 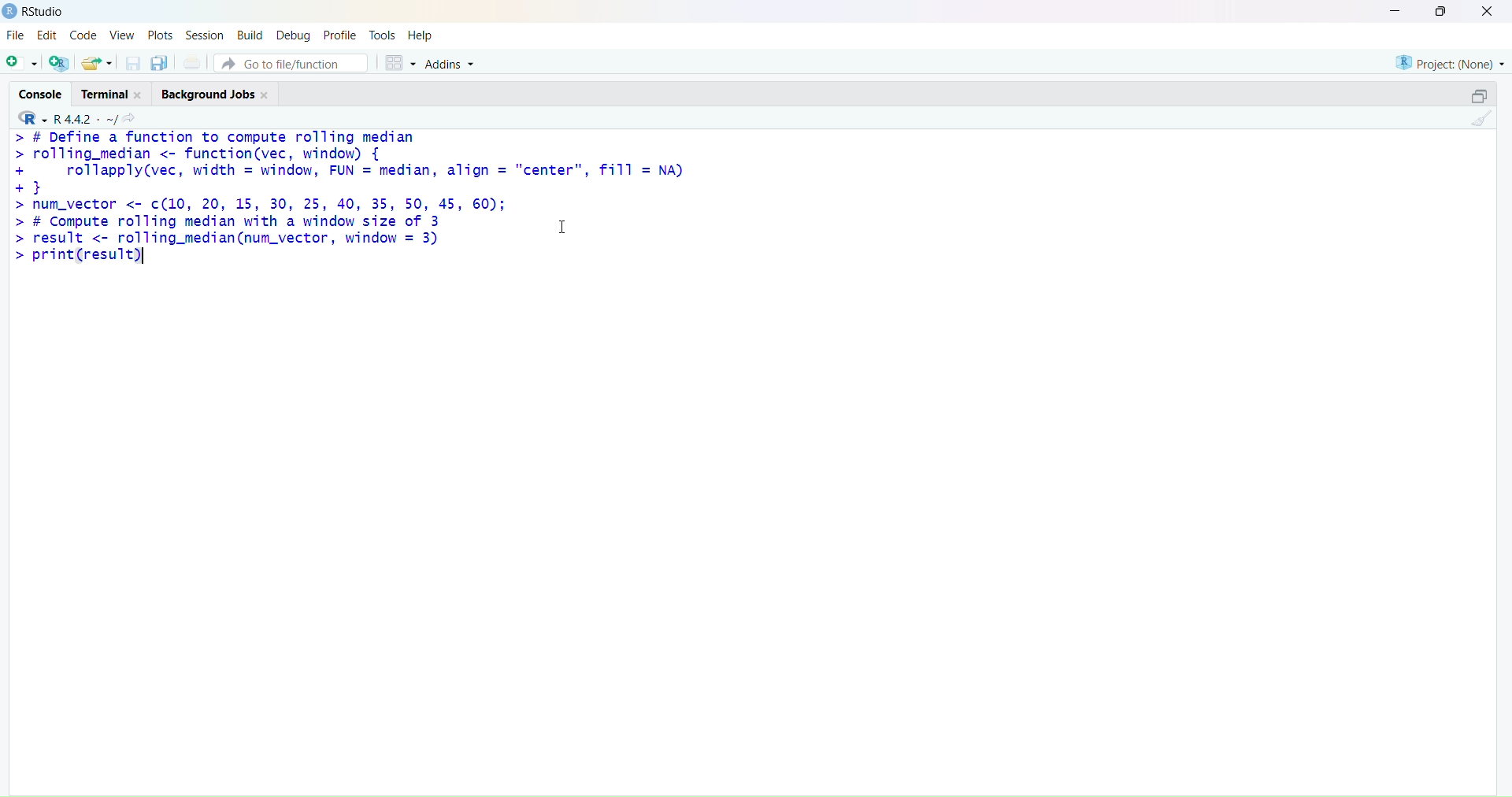 I want to click on print, so click(x=192, y=62).